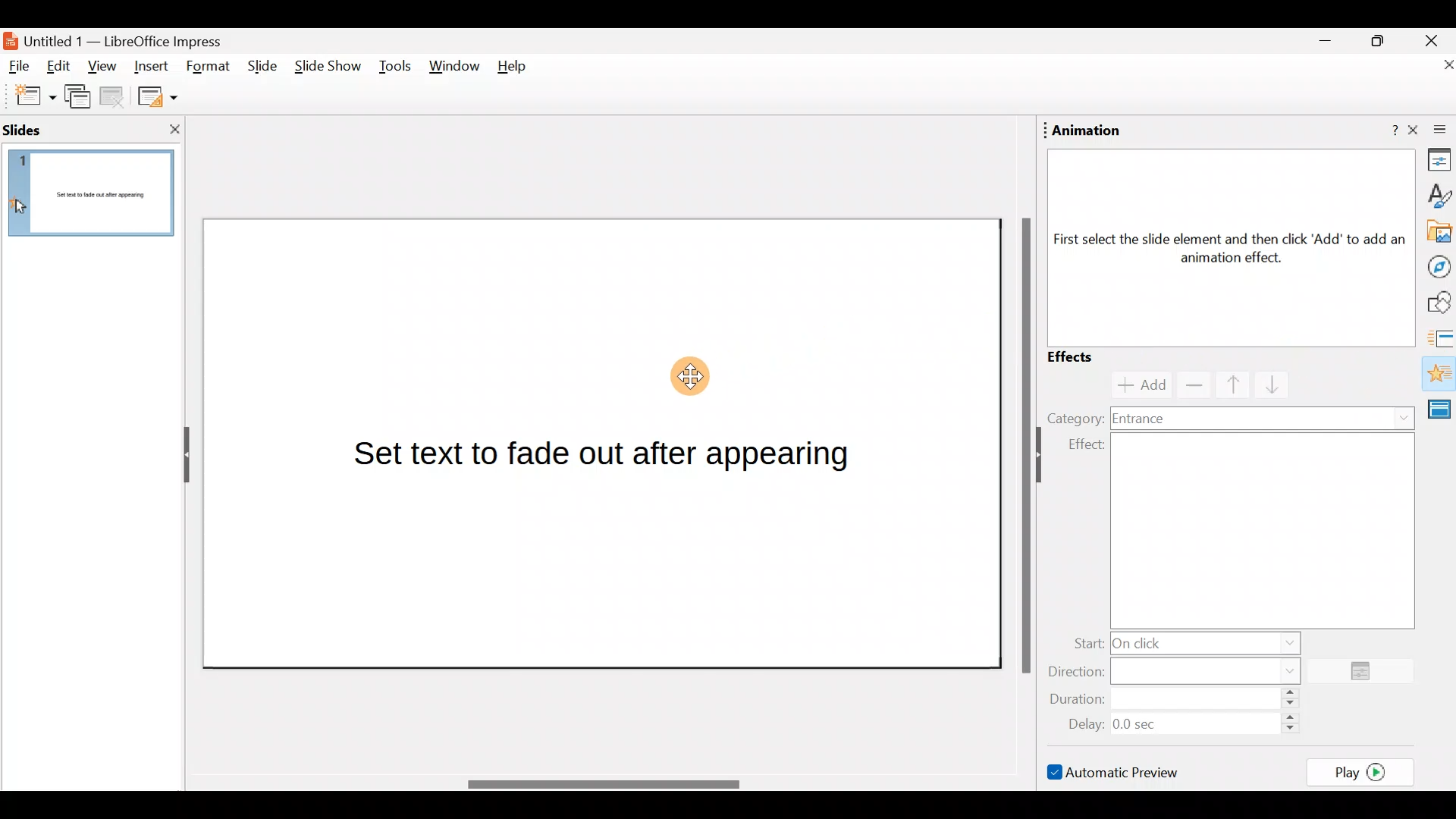 Image resolution: width=1456 pixels, height=819 pixels. I want to click on Scroll bar, so click(1023, 444).